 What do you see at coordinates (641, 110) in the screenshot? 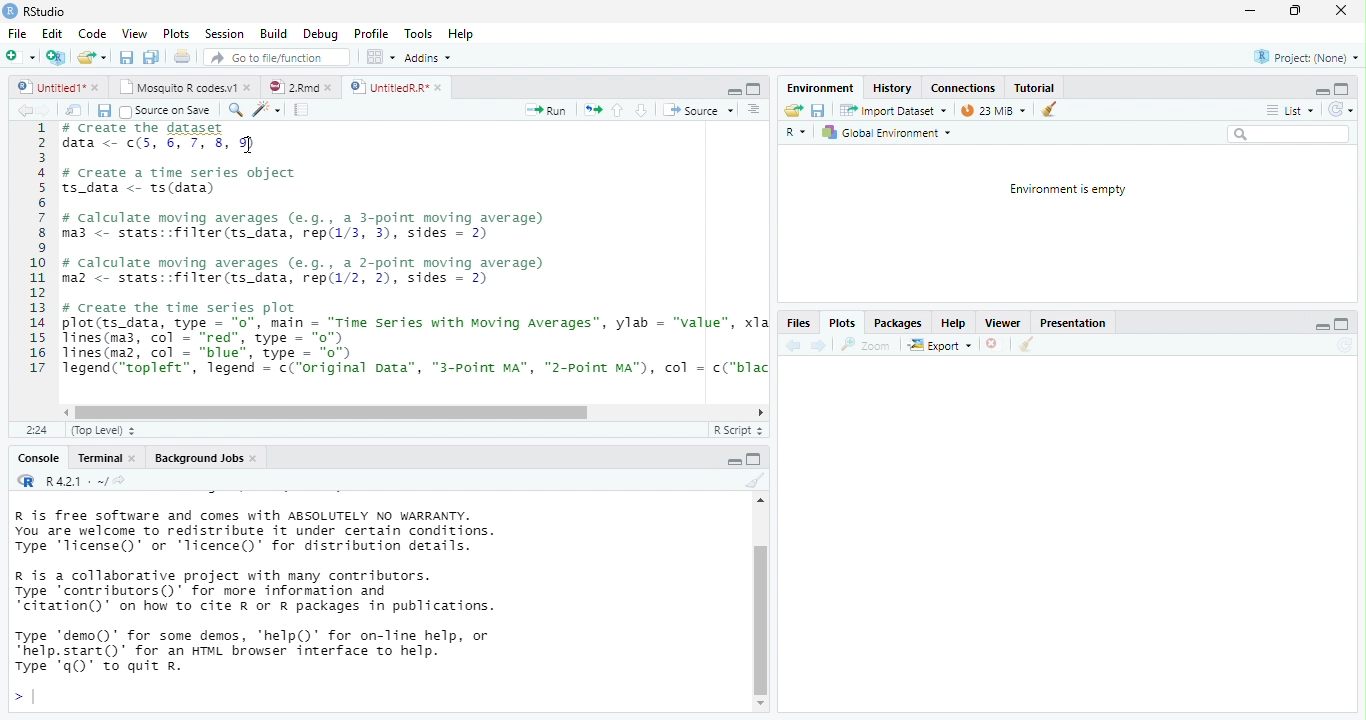
I see `down` at bounding box center [641, 110].